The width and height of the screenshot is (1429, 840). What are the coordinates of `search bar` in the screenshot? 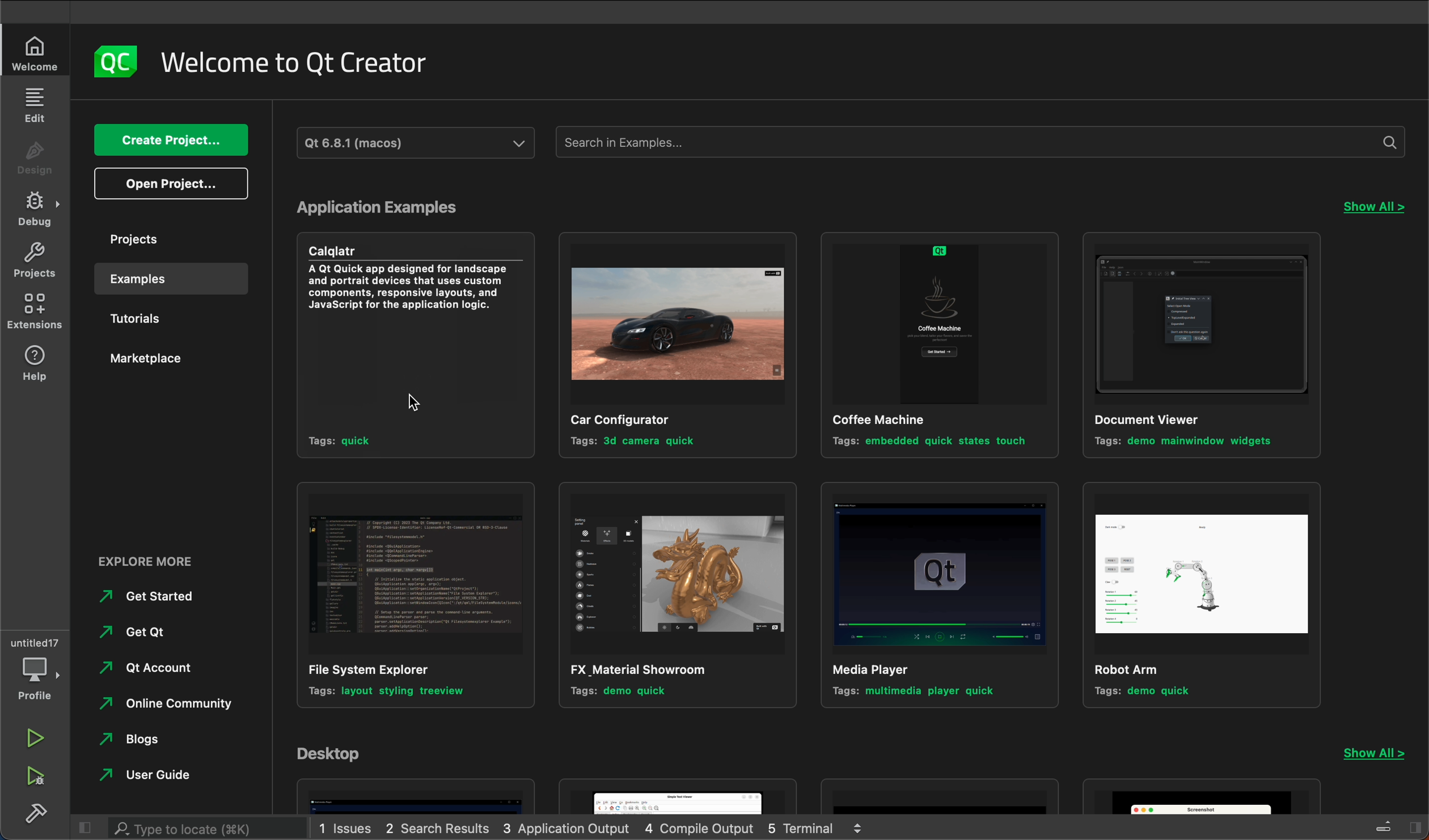 It's located at (982, 141).